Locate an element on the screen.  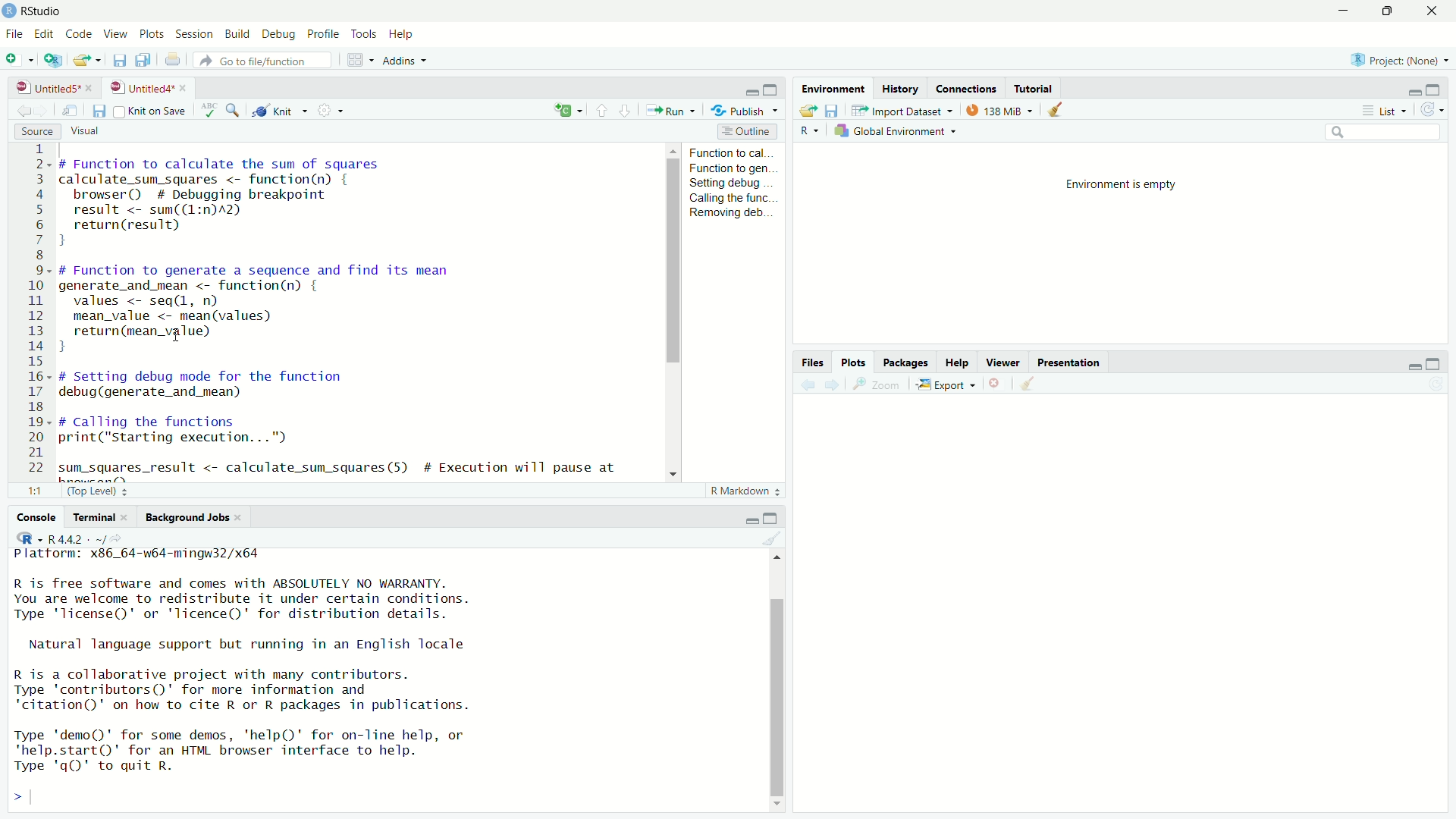
empty plot area is located at coordinates (1128, 613).